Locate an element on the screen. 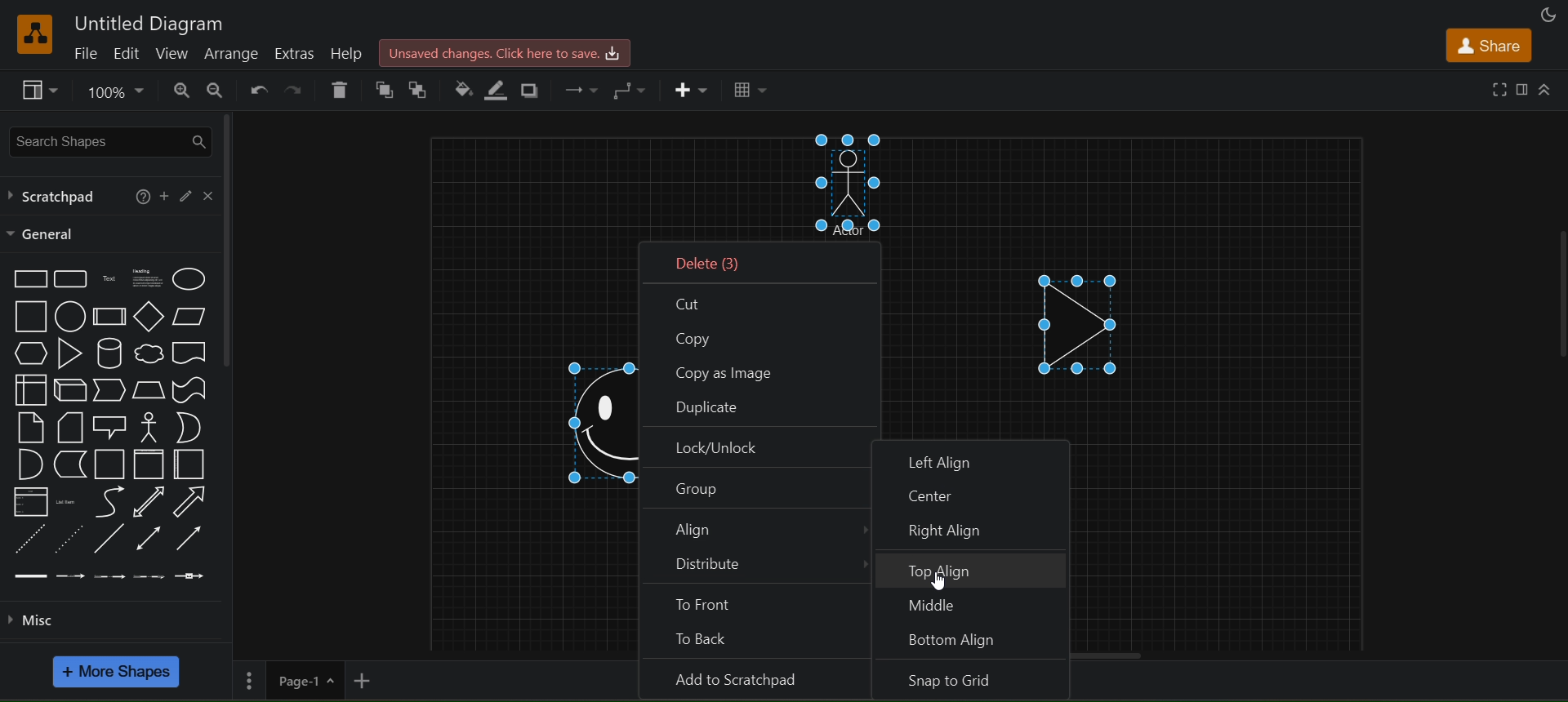 The width and height of the screenshot is (1568, 702). zoom out is located at coordinates (216, 92).